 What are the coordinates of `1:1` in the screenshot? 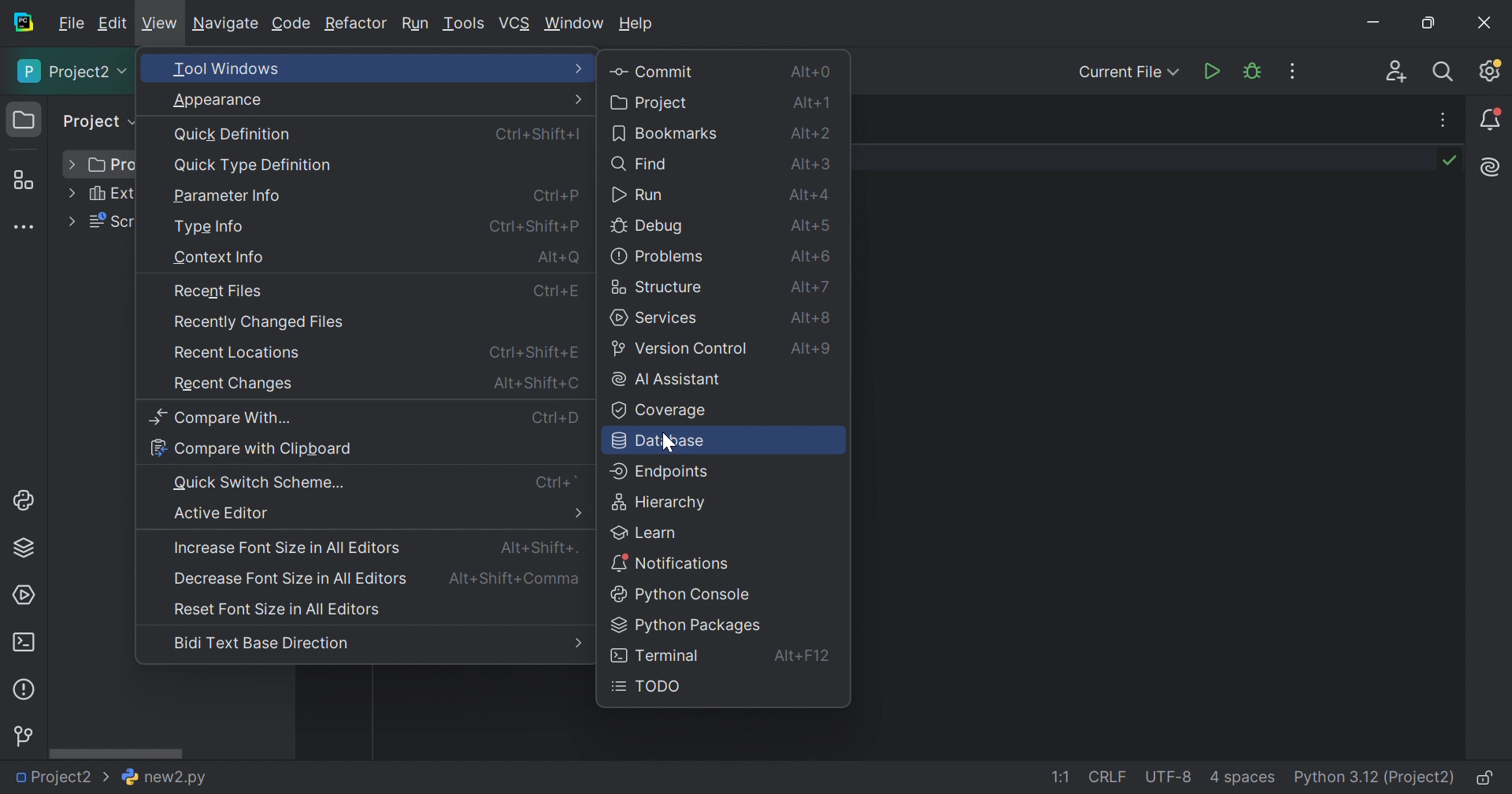 It's located at (1058, 777).